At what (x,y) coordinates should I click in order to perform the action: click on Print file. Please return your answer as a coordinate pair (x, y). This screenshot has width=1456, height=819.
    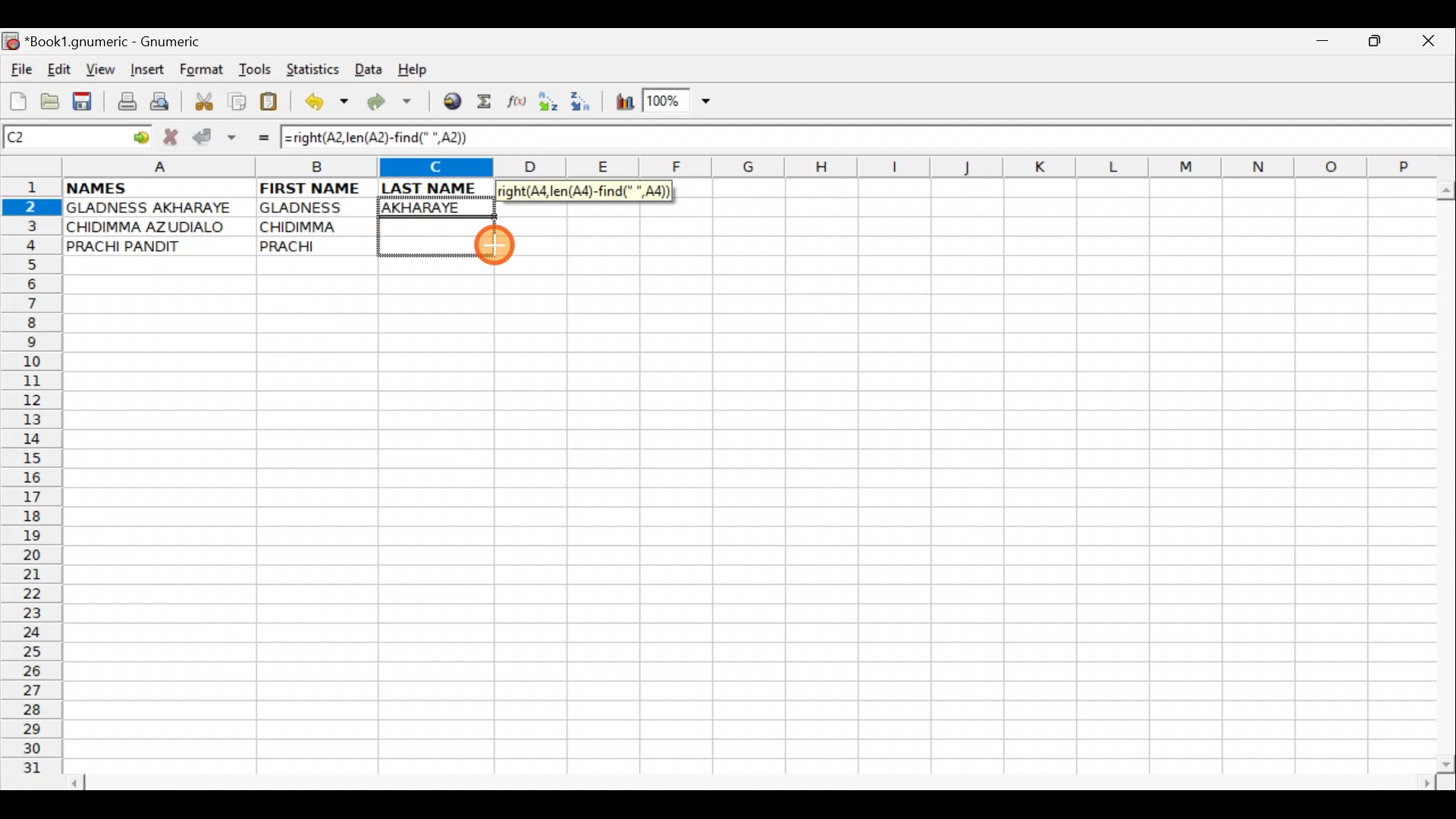
    Looking at the image, I should click on (123, 103).